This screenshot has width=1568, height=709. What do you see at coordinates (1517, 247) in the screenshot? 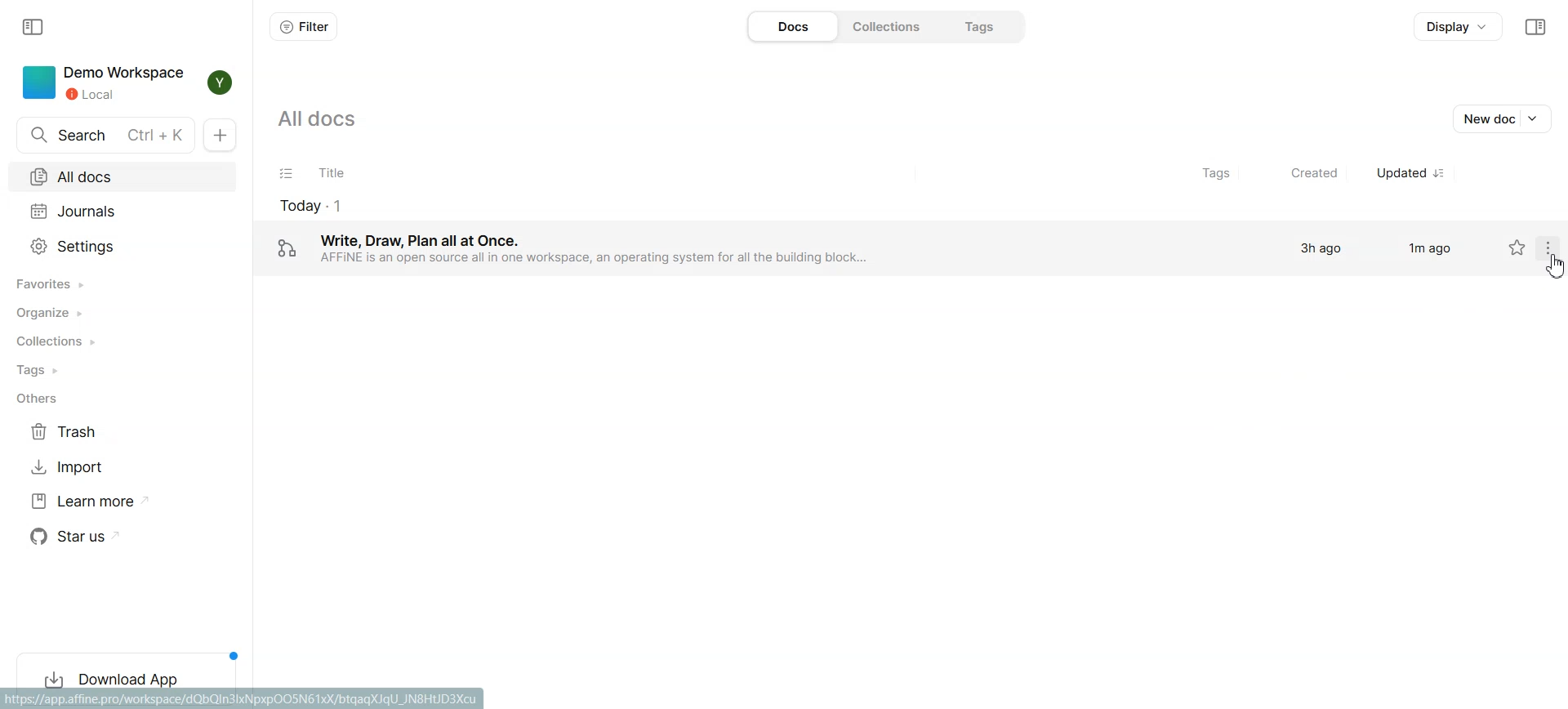
I see `Favorite` at bounding box center [1517, 247].